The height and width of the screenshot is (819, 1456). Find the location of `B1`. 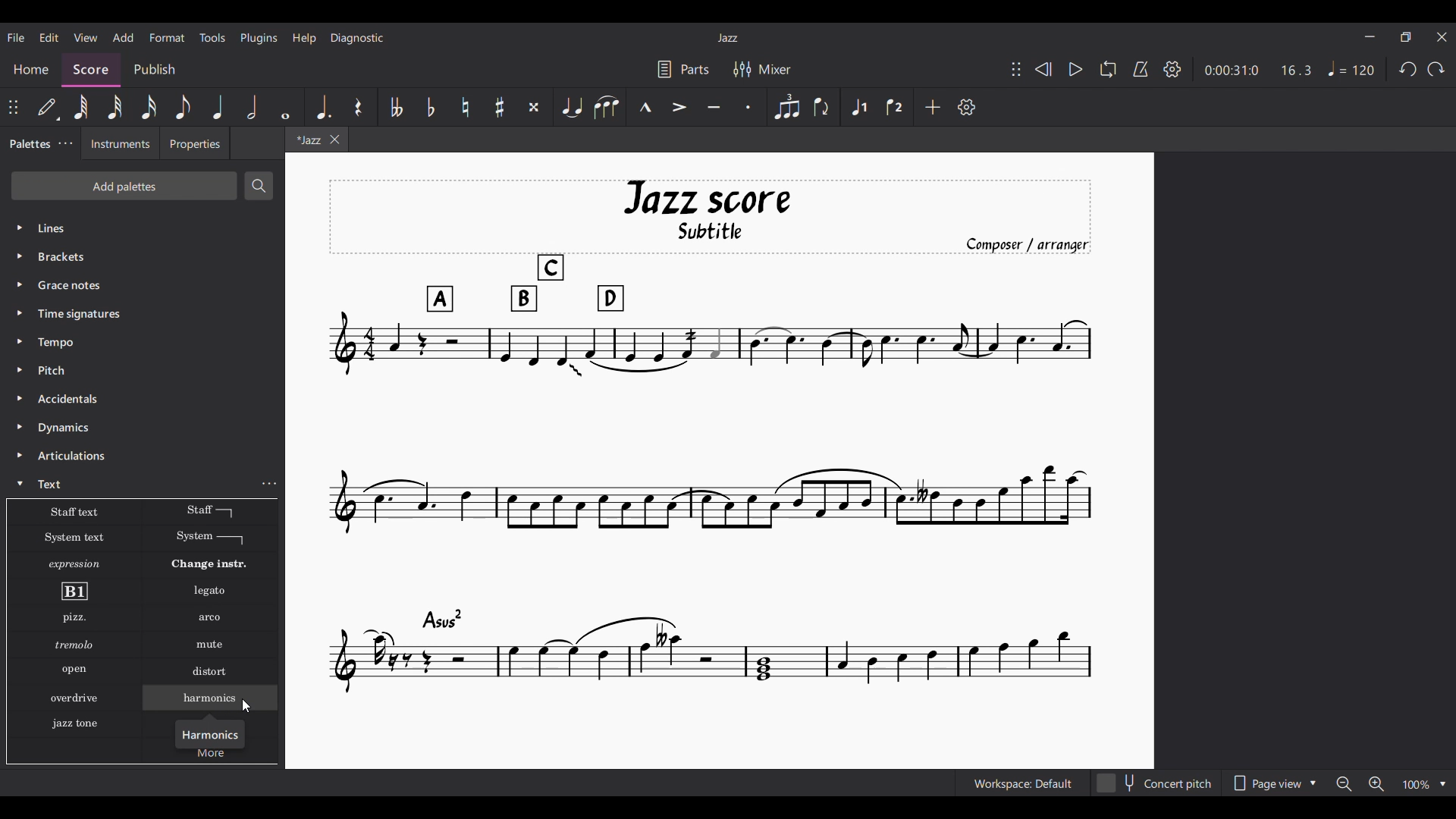

B1 is located at coordinates (74, 591).